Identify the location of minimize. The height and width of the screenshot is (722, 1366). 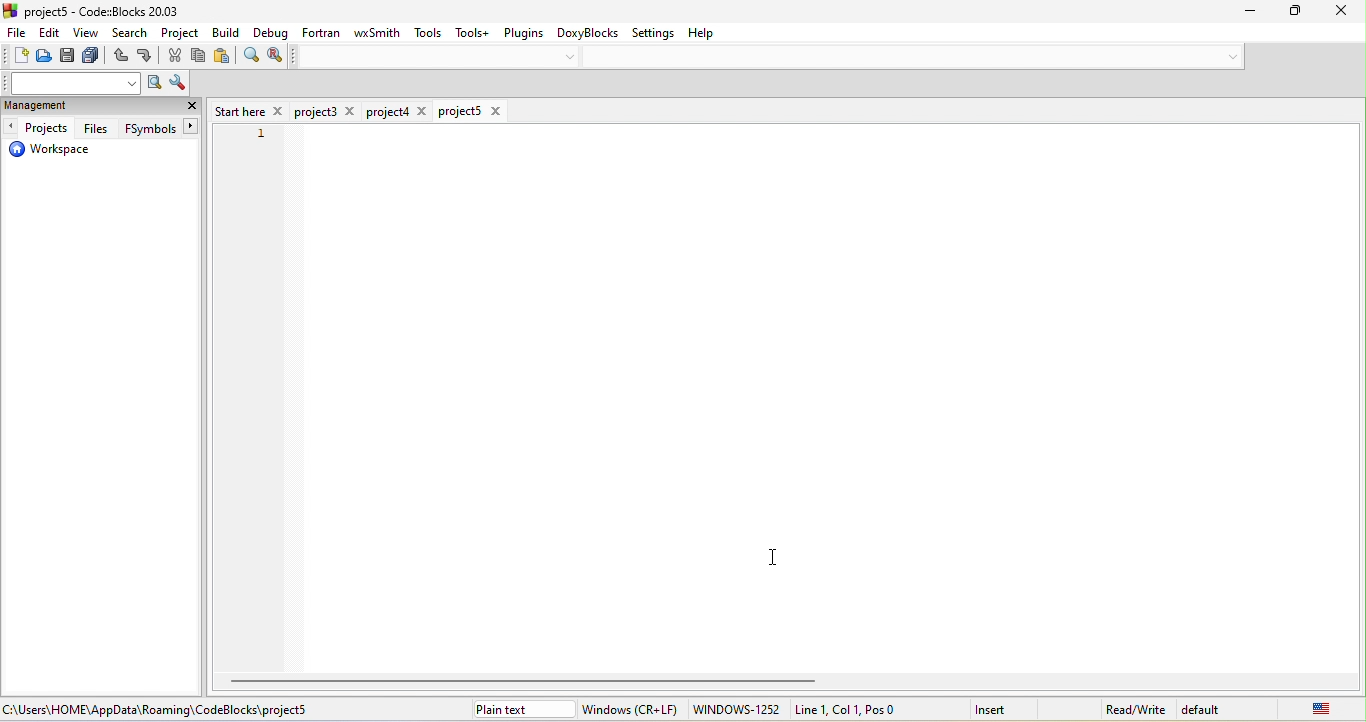
(1240, 12).